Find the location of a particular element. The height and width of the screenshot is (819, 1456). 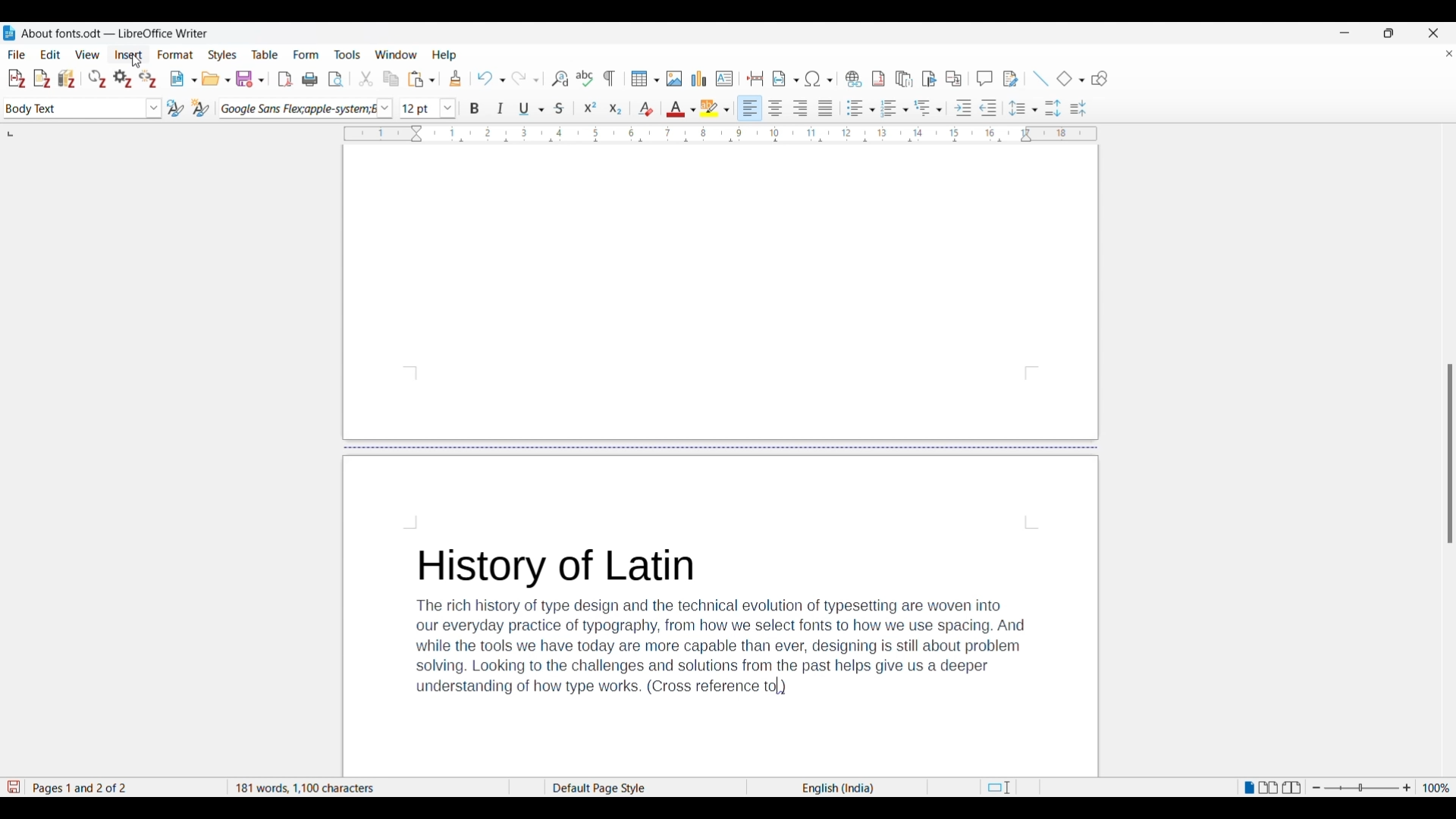

Insert hyperlink is located at coordinates (853, 79).